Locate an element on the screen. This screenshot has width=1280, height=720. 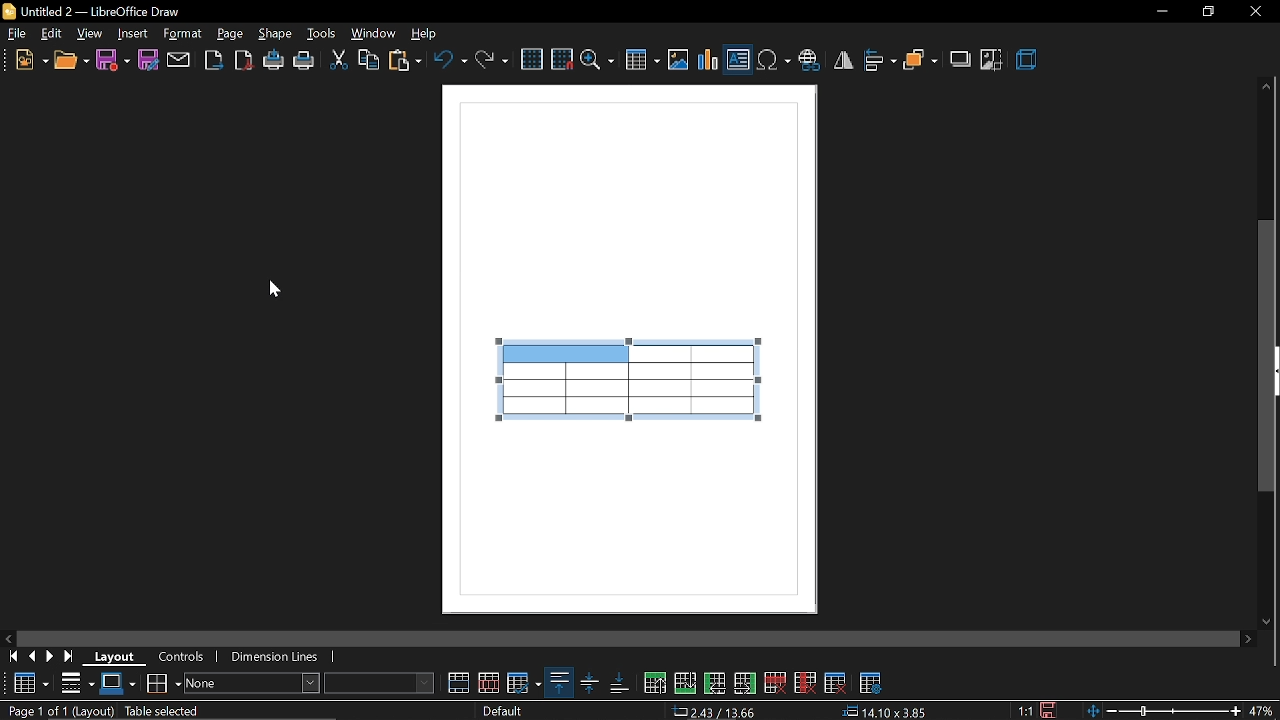
insert image is located at coordinates (677, 58).